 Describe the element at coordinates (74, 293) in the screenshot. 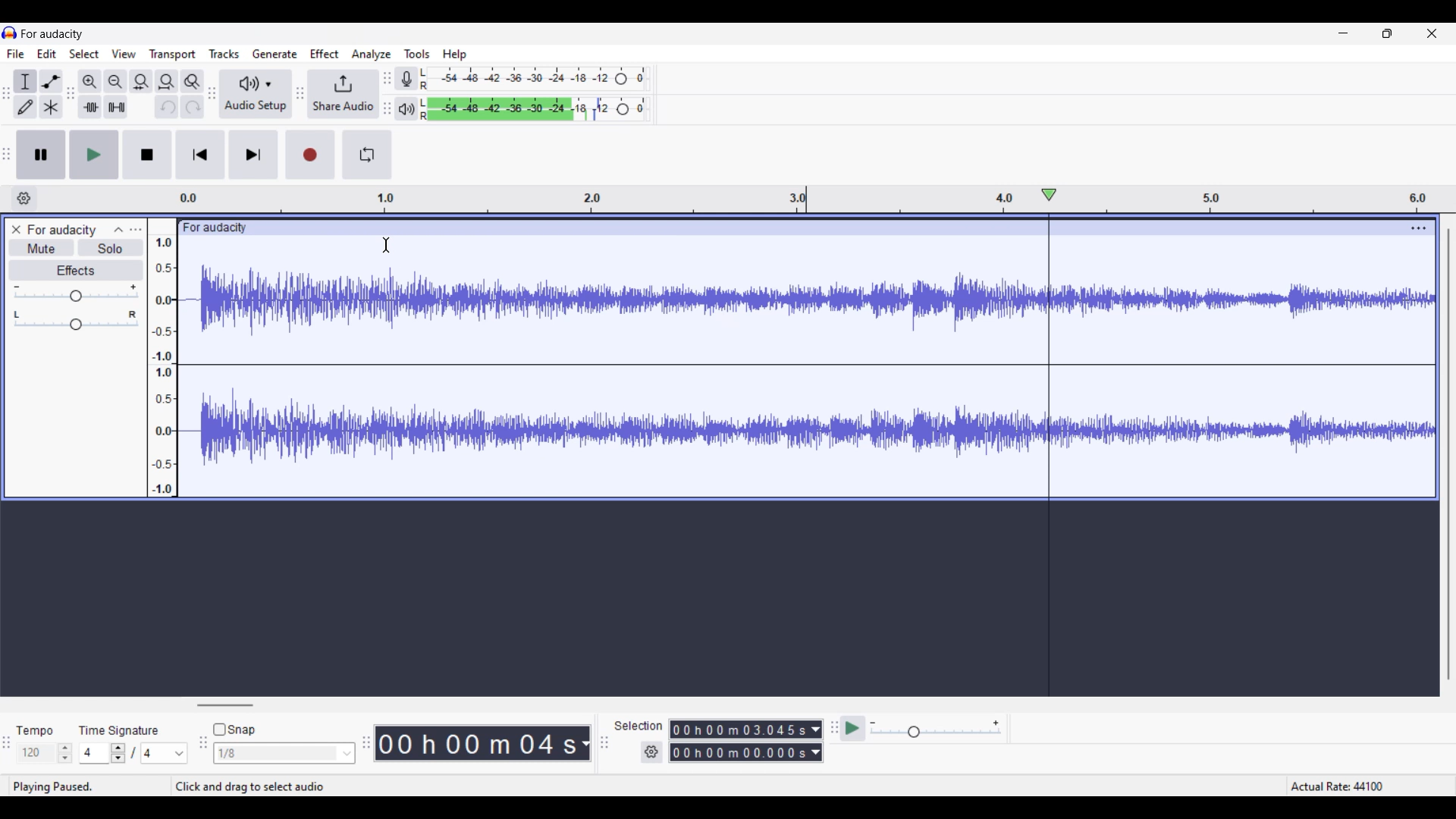

I see `Volume scale` at that location.